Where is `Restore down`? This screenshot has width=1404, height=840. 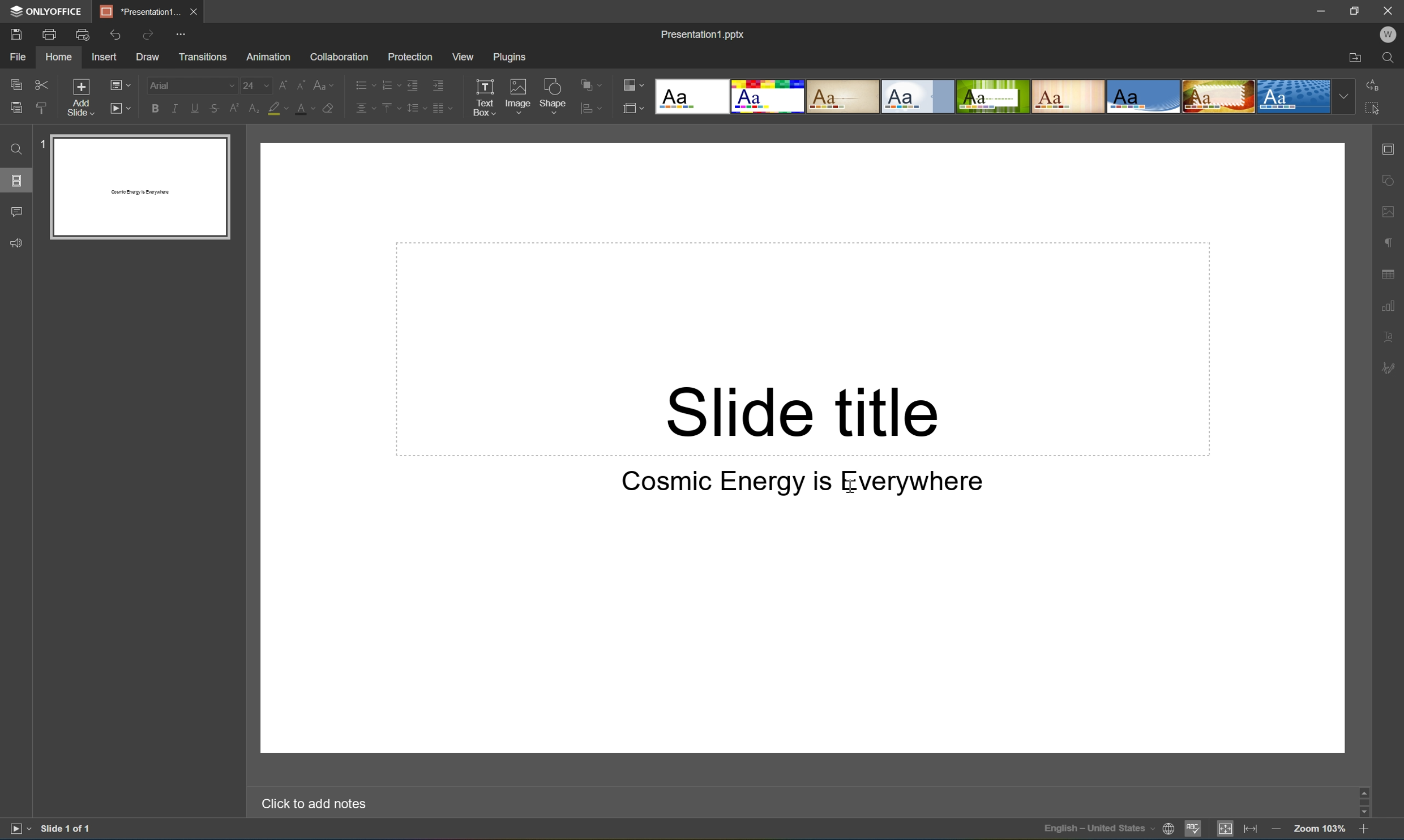
Restore down is located at coordinates (1356, 11).